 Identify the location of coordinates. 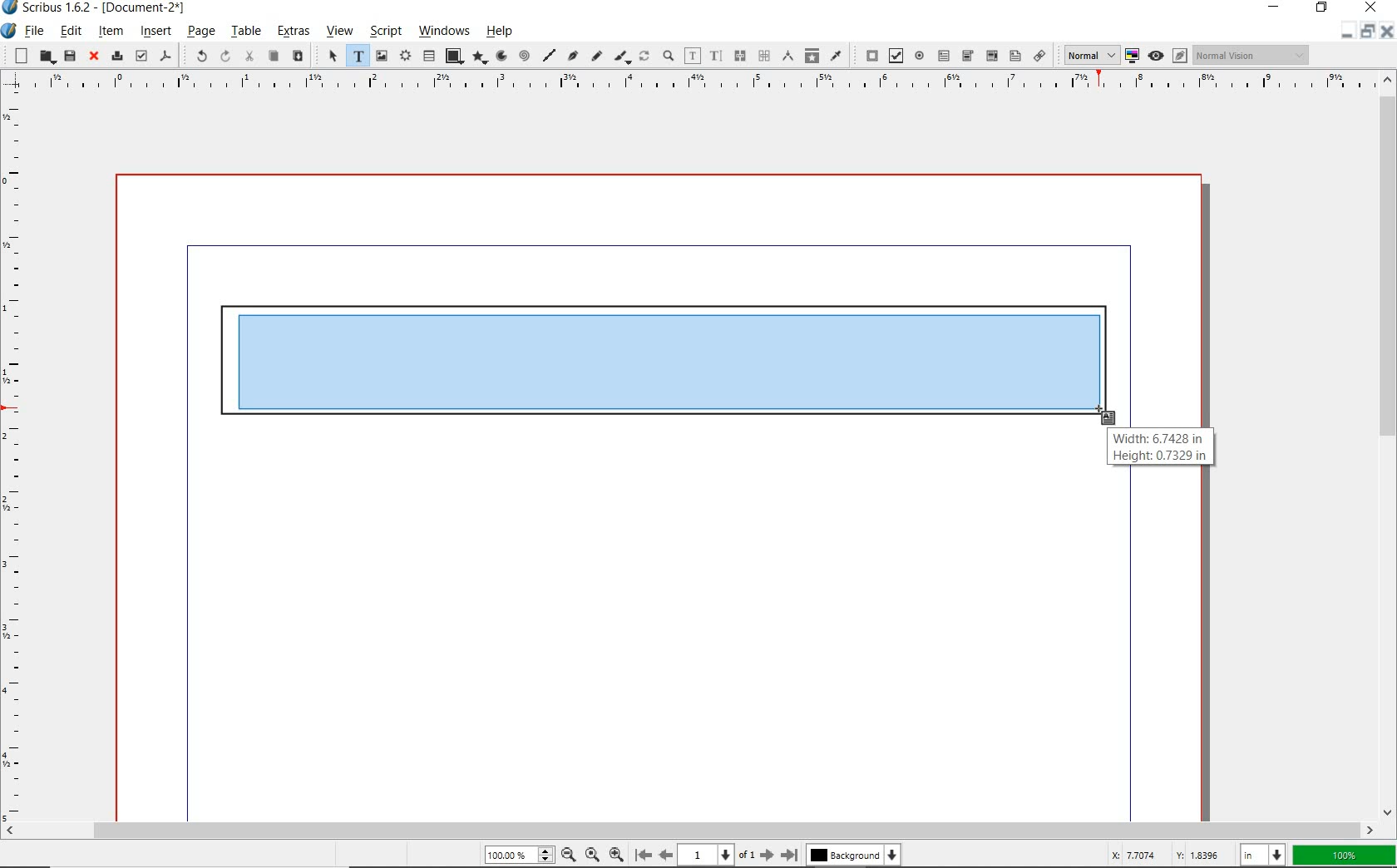
(1164, 856).